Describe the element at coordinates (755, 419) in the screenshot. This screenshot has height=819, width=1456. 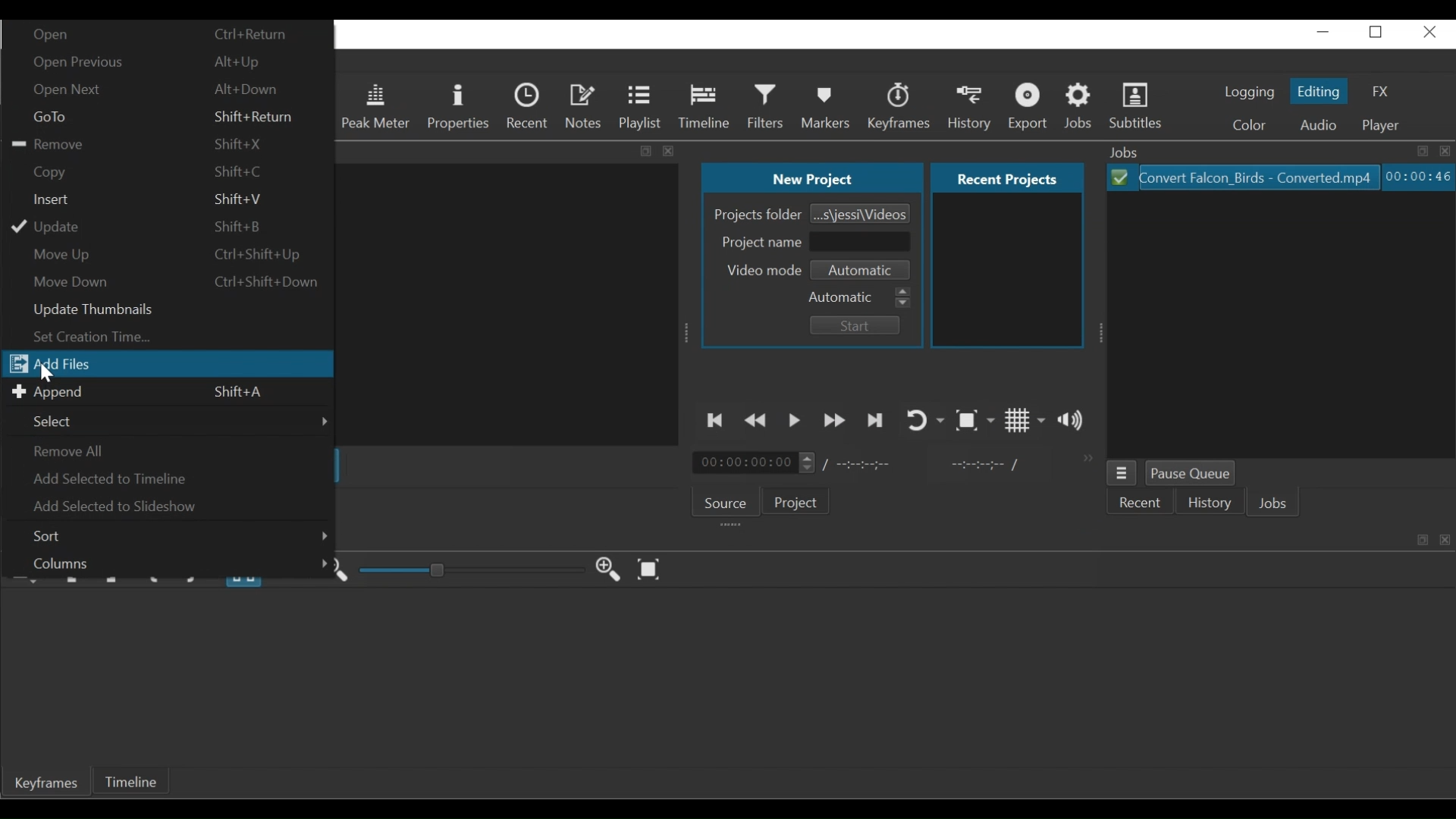
I see `Play quickly backward` at that location.